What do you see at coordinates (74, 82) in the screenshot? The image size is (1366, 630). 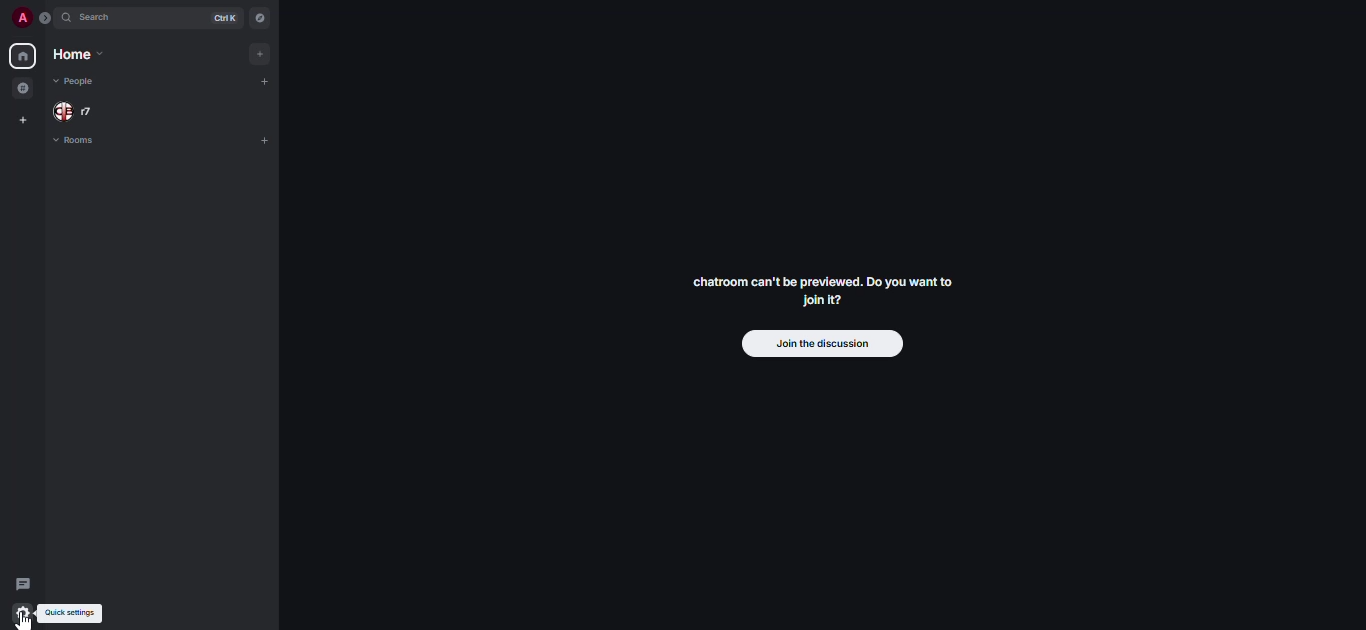 I see `people` at bounding box center [74, 82].